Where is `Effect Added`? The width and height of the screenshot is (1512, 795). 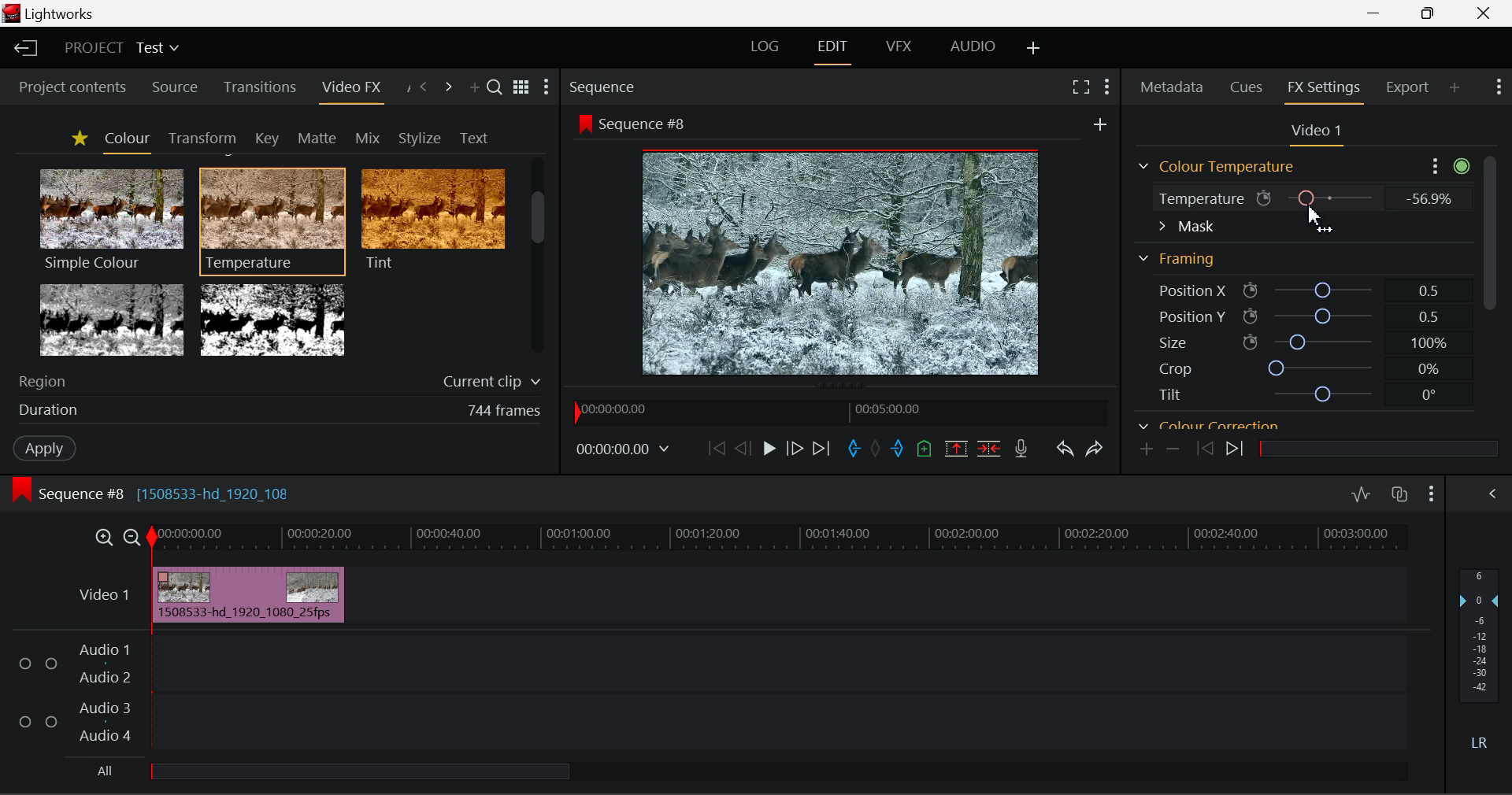 Effect Added is located at coordinates (250, 594).